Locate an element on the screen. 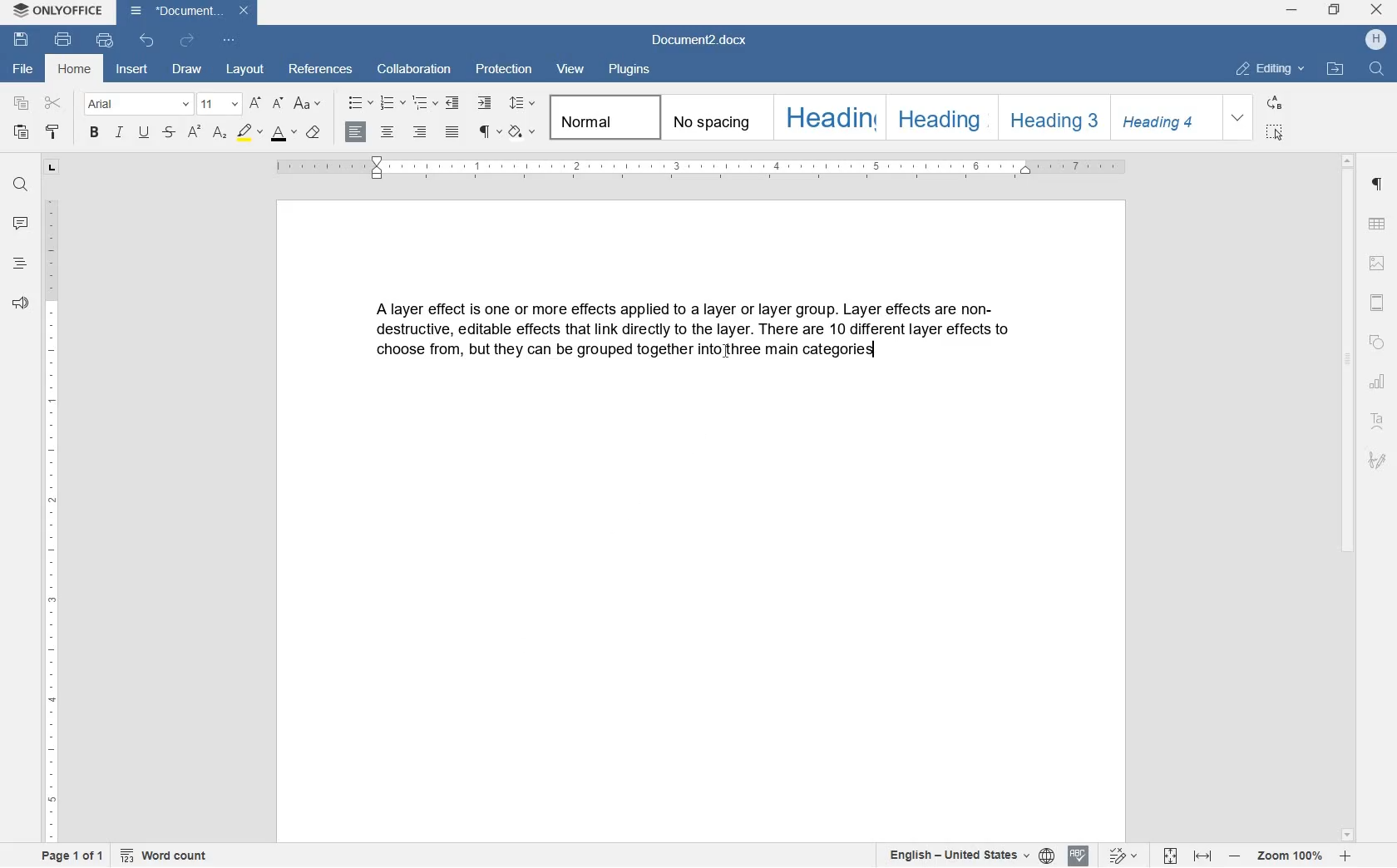 The height and width of the screenshot is (868, 1397). references is located at coordinates (323, 71).